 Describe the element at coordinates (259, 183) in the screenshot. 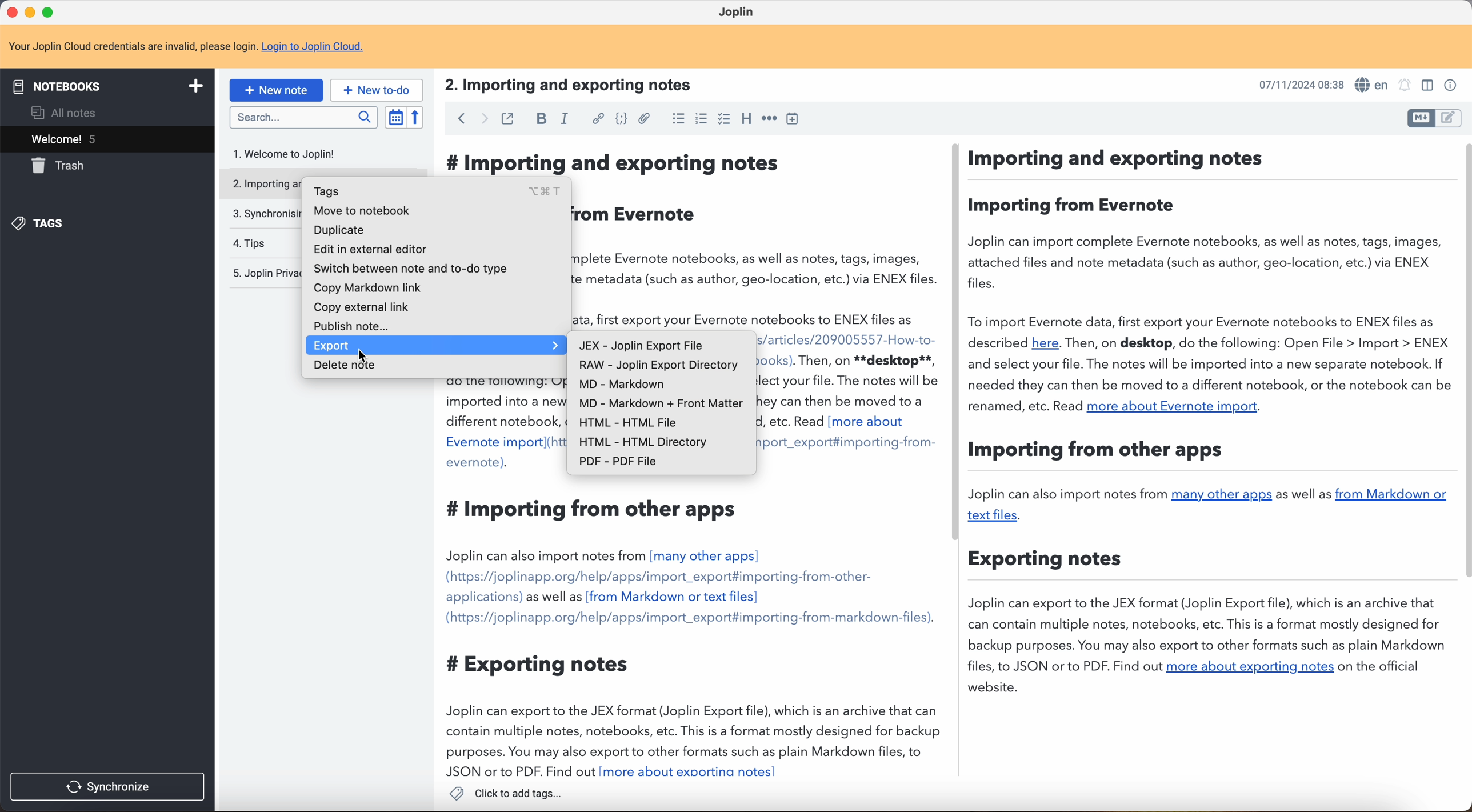

I see `importing` at that location.